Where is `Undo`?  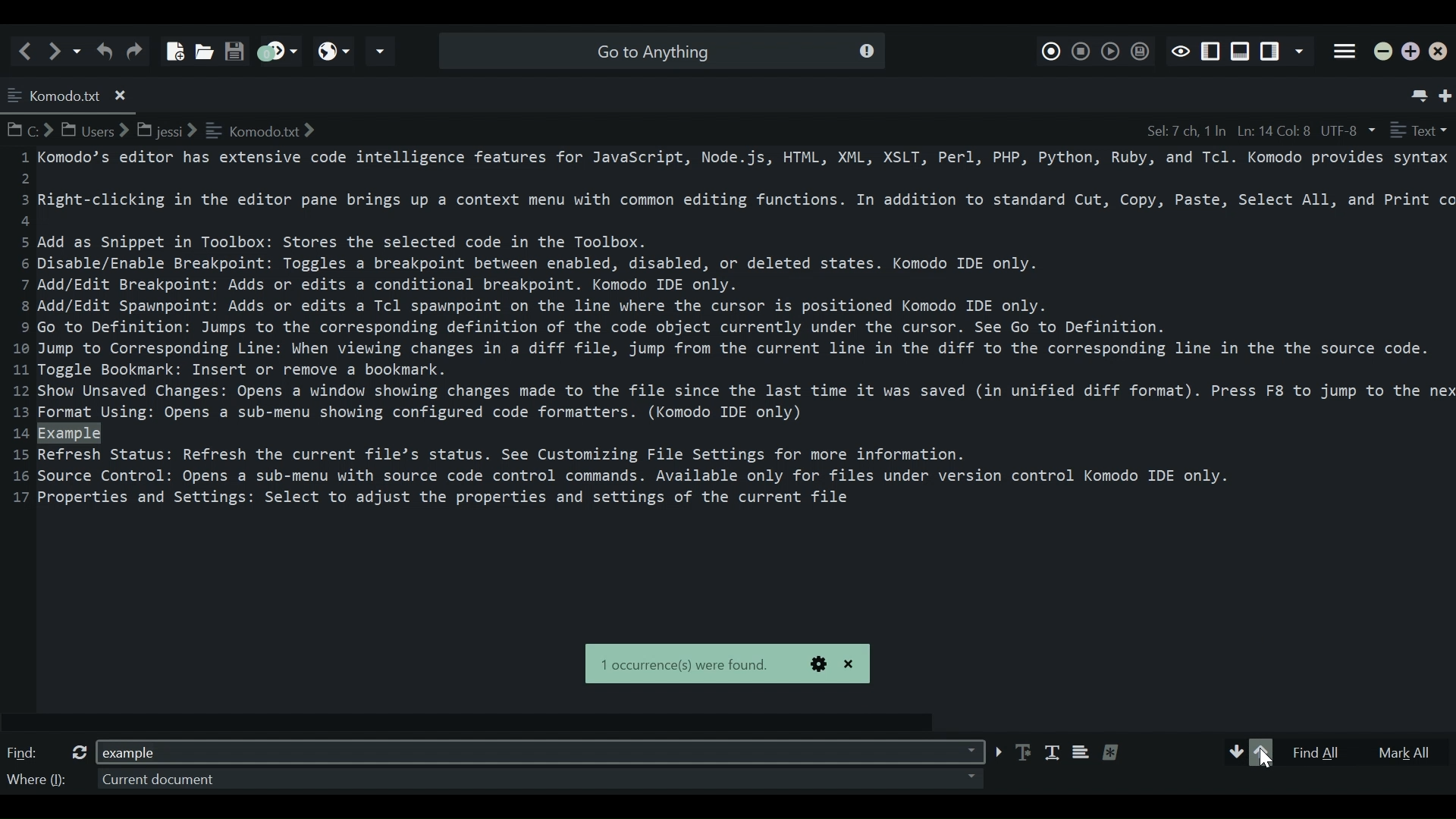 Undo is located at coordinates (104, 50).